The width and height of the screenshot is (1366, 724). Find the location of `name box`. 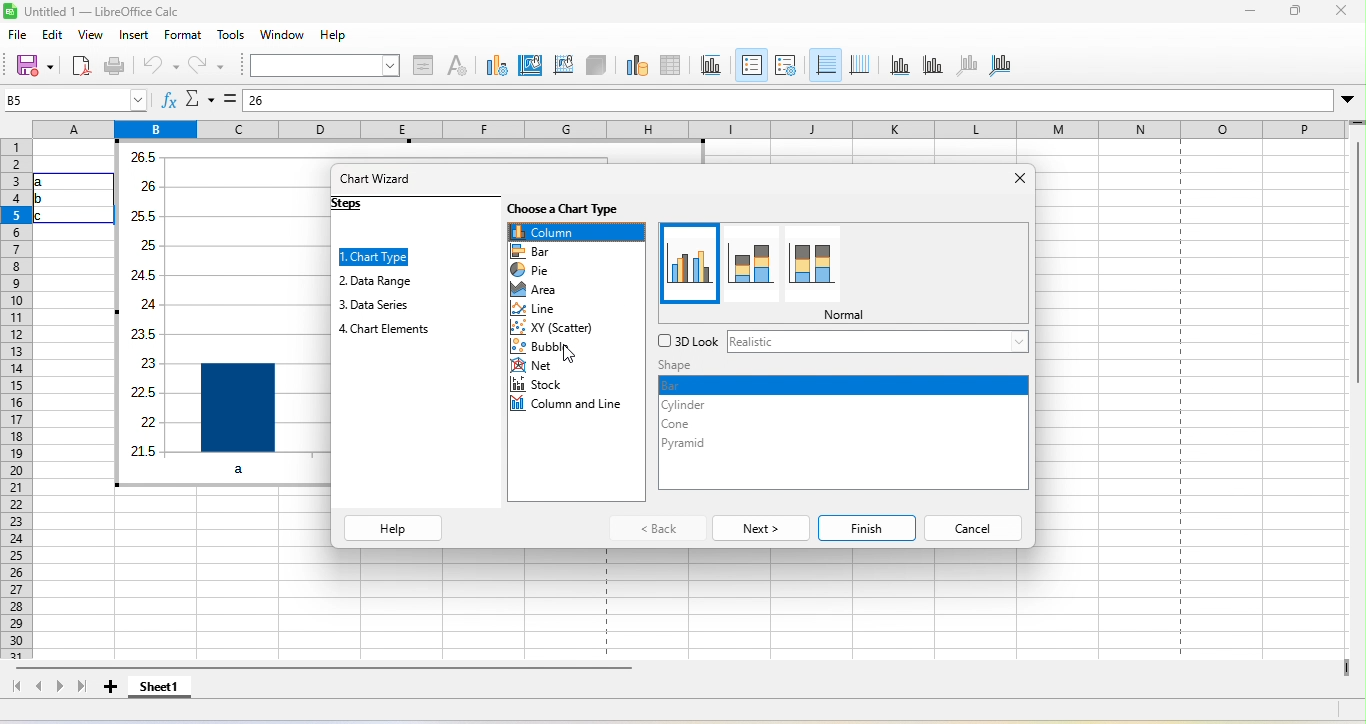

name box is located at coordinates (72, 99).